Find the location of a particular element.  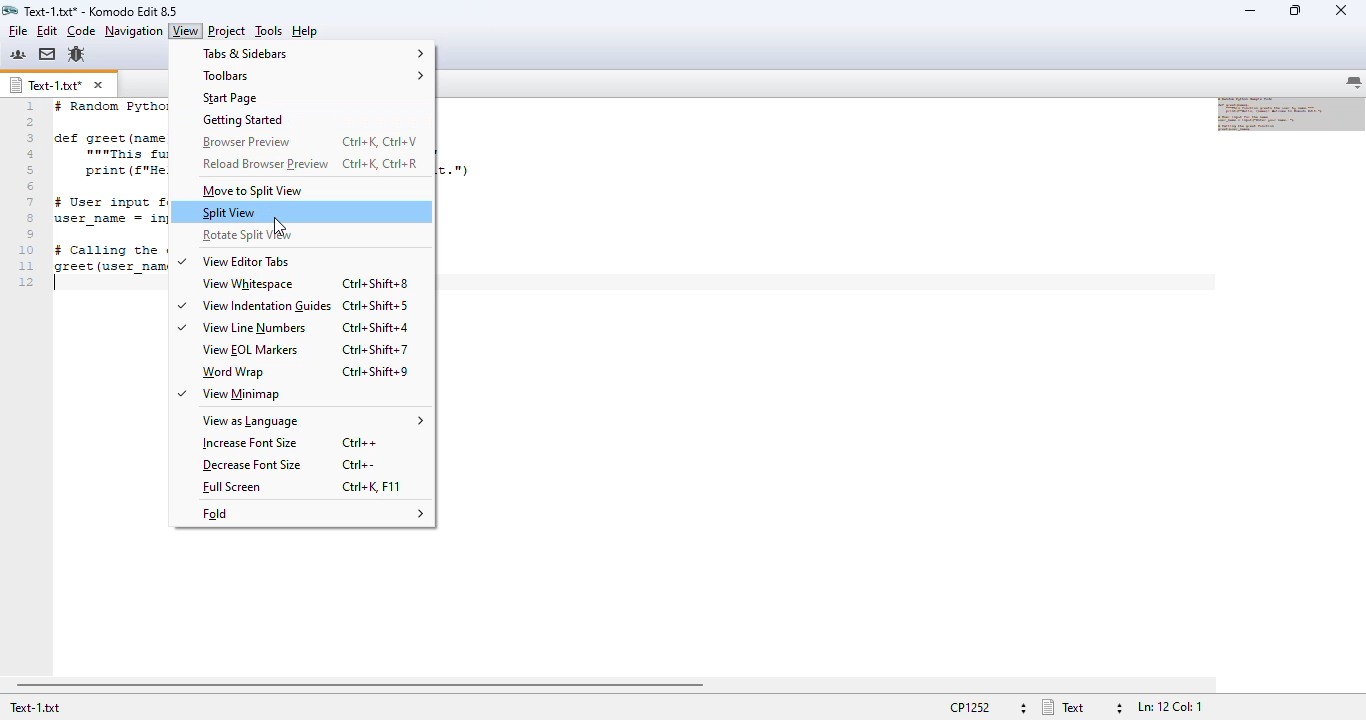

list all tabs is located at coordinates (1354, 83).